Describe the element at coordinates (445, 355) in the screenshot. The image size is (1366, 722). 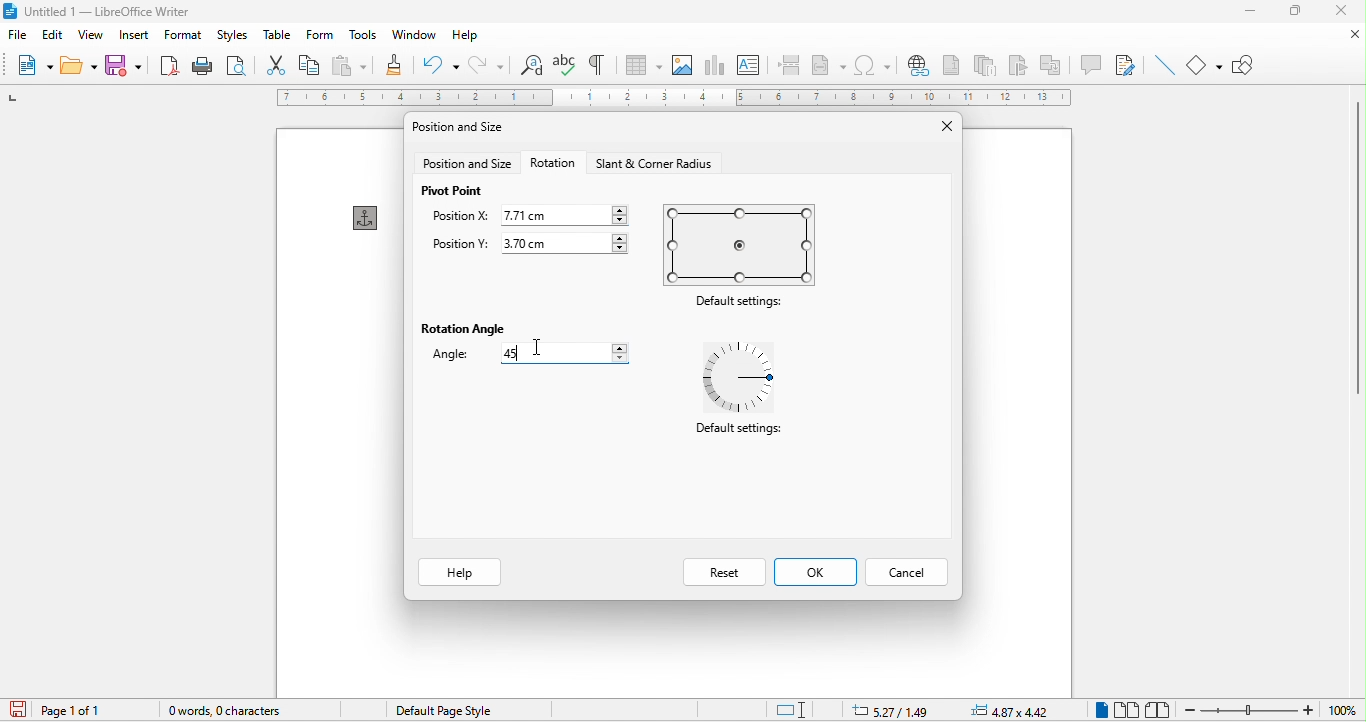
I see `angle` at that location.